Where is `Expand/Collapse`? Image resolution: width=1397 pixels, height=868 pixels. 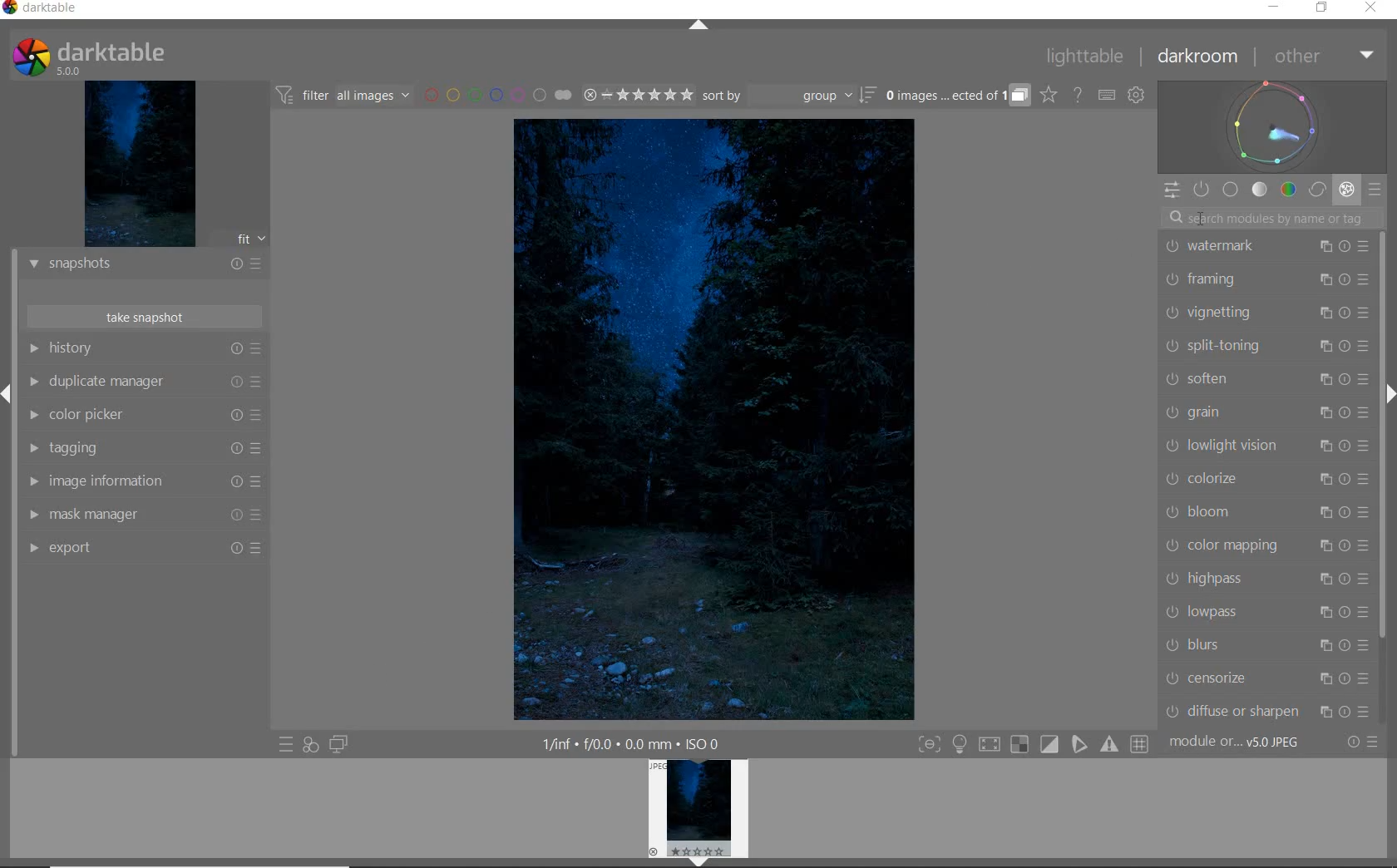
Expand/Collapse is located at coordinates (1388, 391).